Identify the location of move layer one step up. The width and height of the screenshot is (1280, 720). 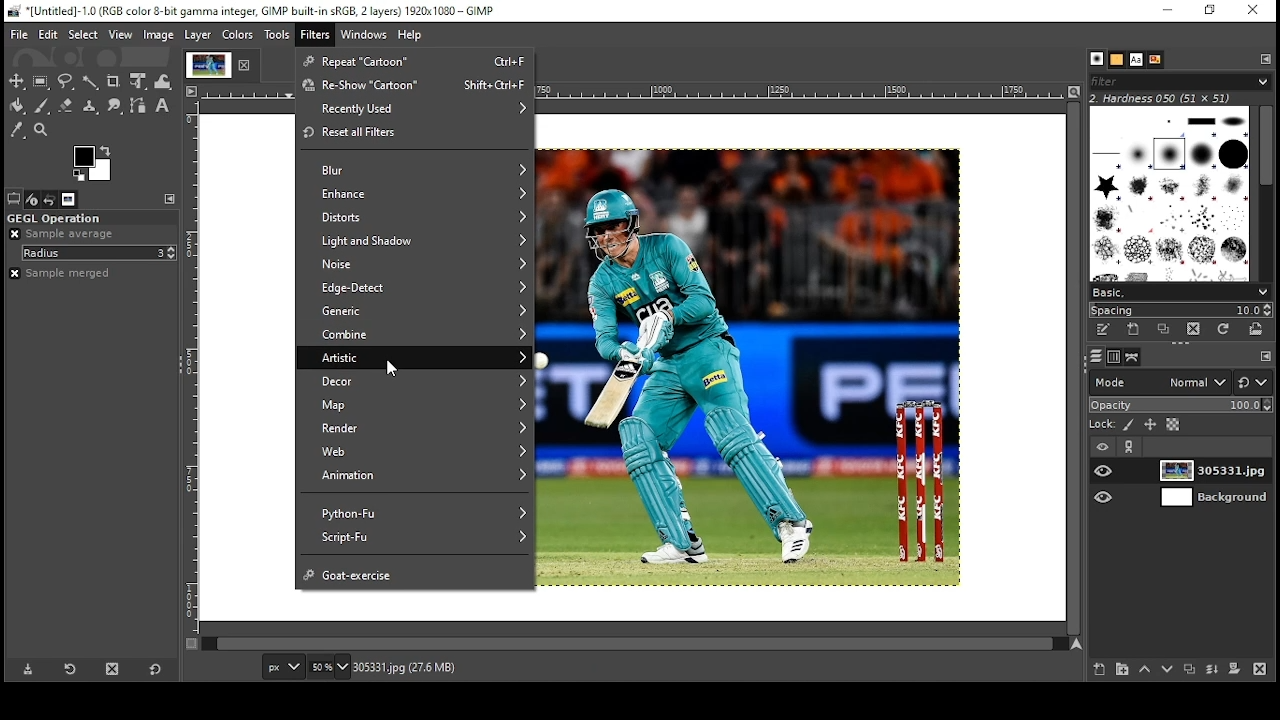
(1145, 670).